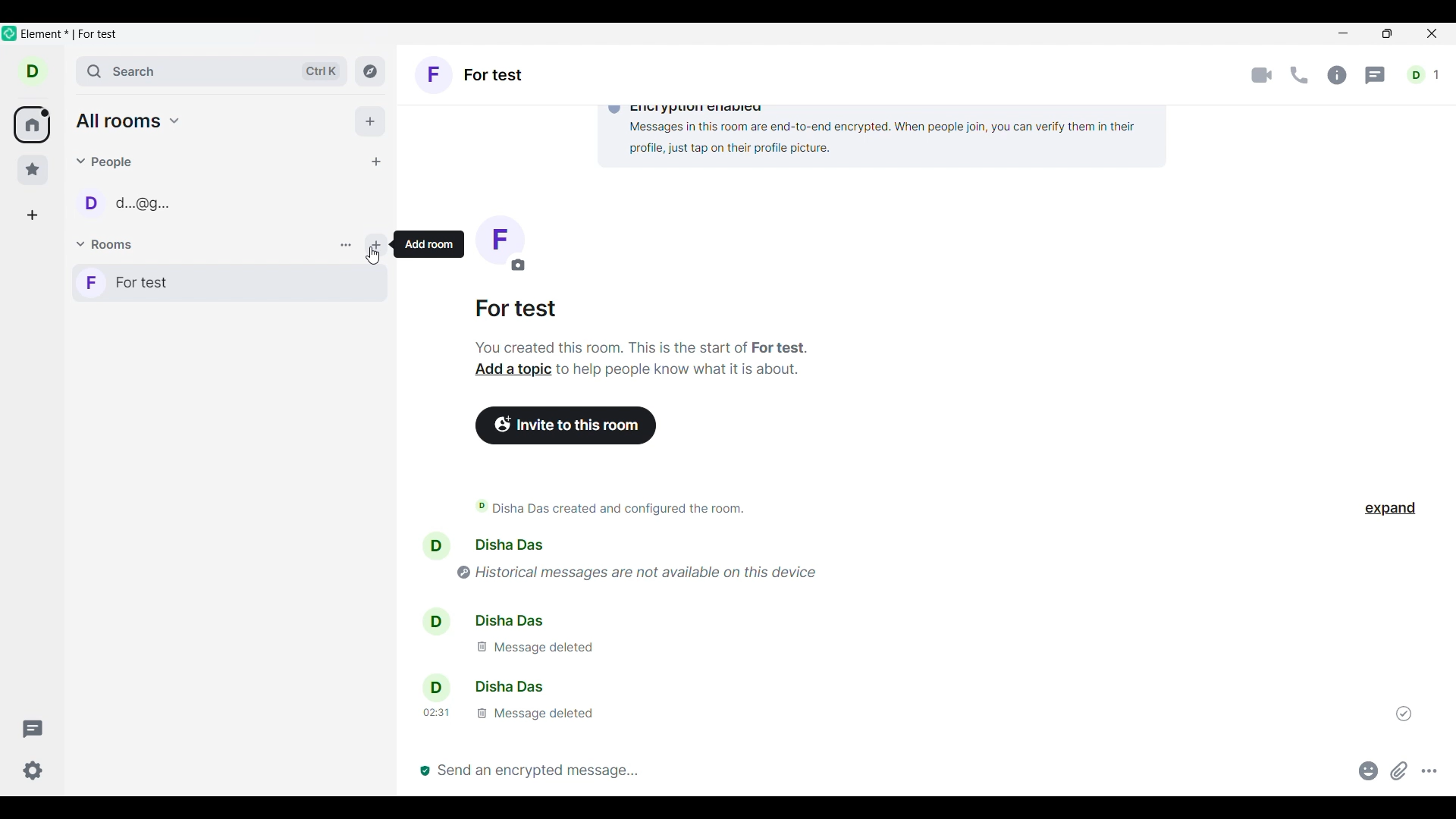 Image resolution: width=1456 pixels, height=819 pixels. Describe the element at coordinates (1369, 770) in the screenshot. I see `Emoji` at that location.